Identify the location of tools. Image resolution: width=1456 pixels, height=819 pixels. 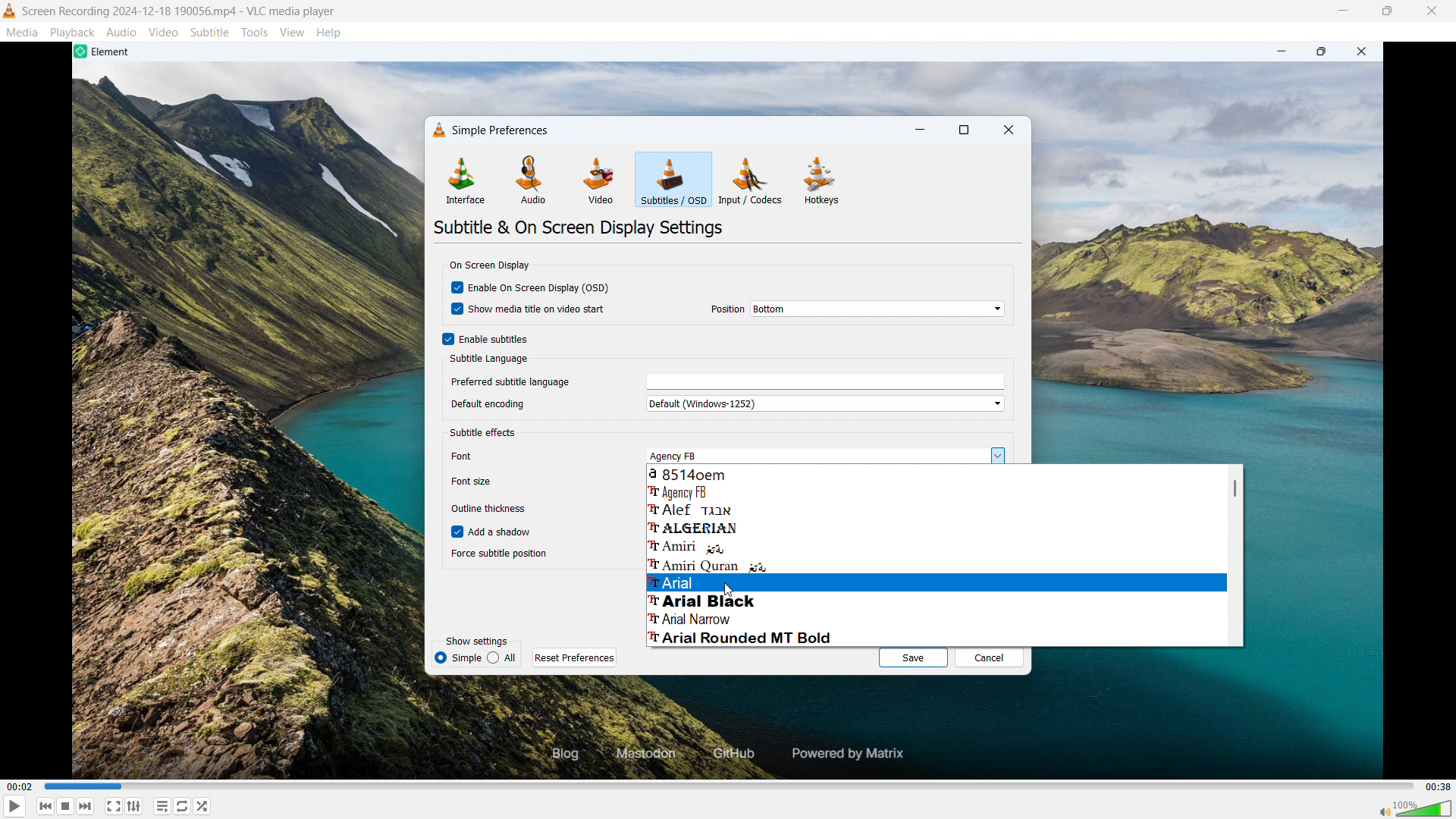
(255, 33).